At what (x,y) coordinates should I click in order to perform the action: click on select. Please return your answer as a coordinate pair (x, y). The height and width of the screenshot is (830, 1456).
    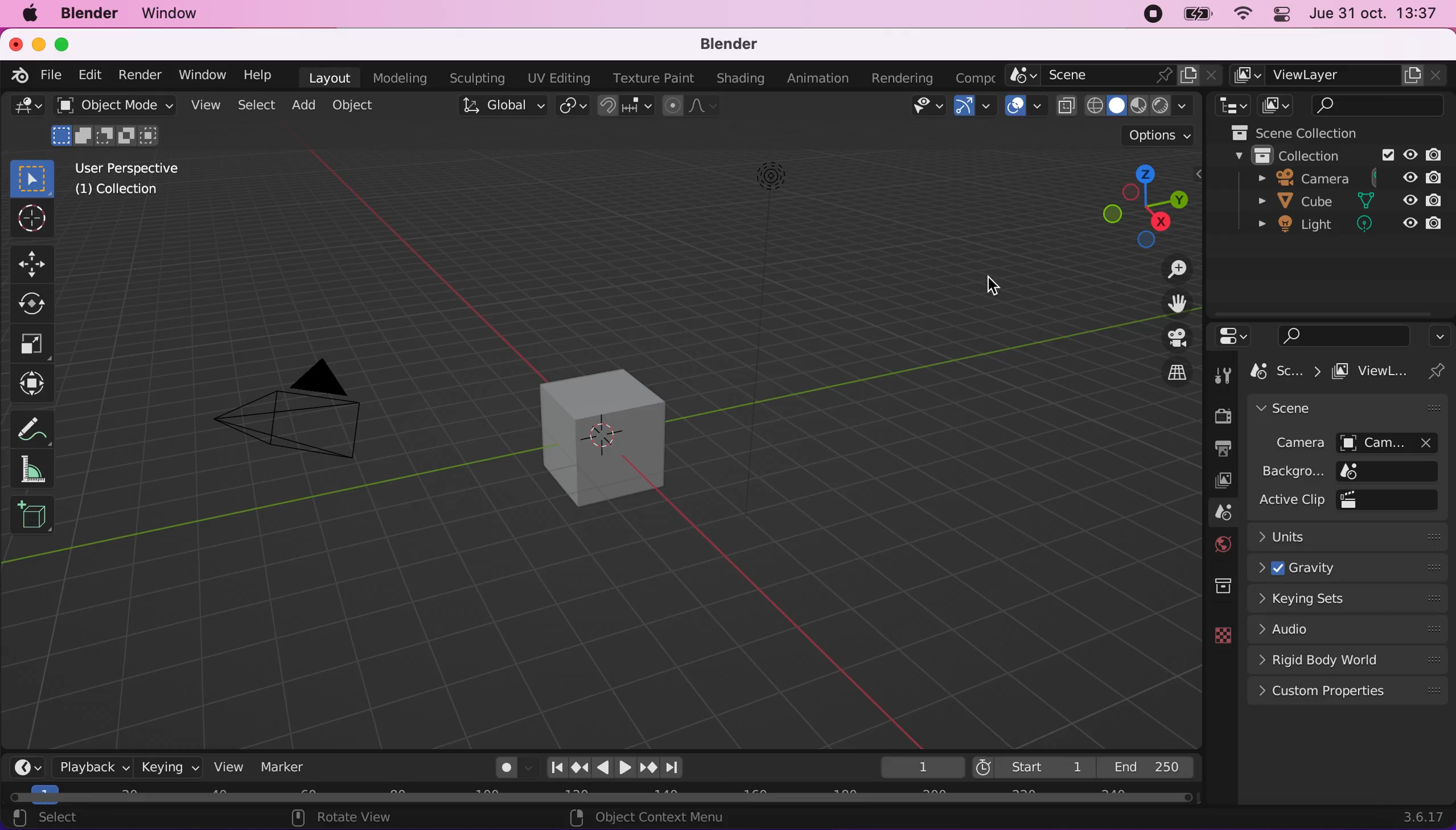
    Looking at the image, I should click on (255, 106).